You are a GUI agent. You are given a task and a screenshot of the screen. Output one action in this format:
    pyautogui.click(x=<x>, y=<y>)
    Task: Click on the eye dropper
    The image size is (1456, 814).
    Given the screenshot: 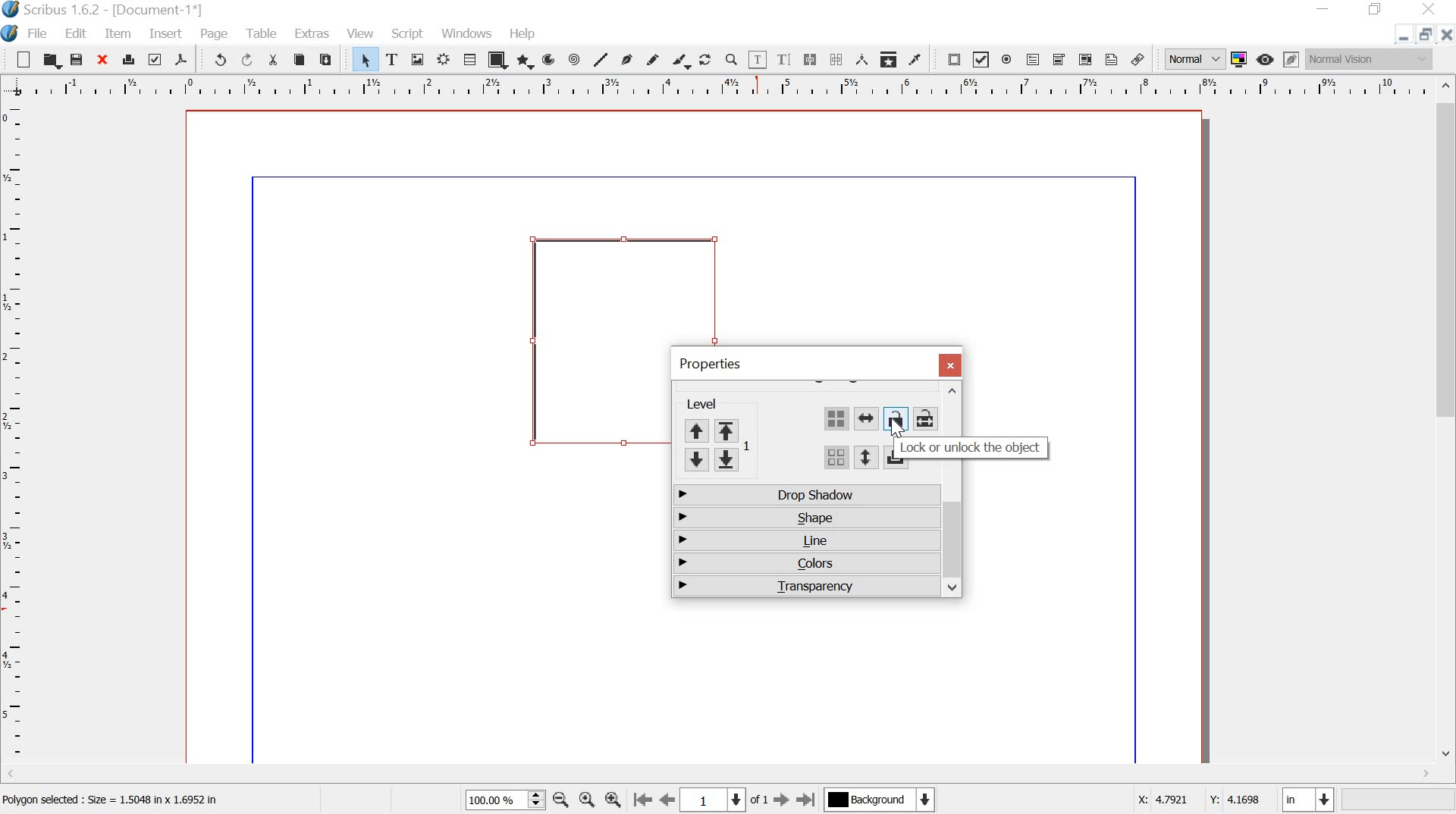 What is the action you would take?
    pyautogui.click(x=917, y=61)
    